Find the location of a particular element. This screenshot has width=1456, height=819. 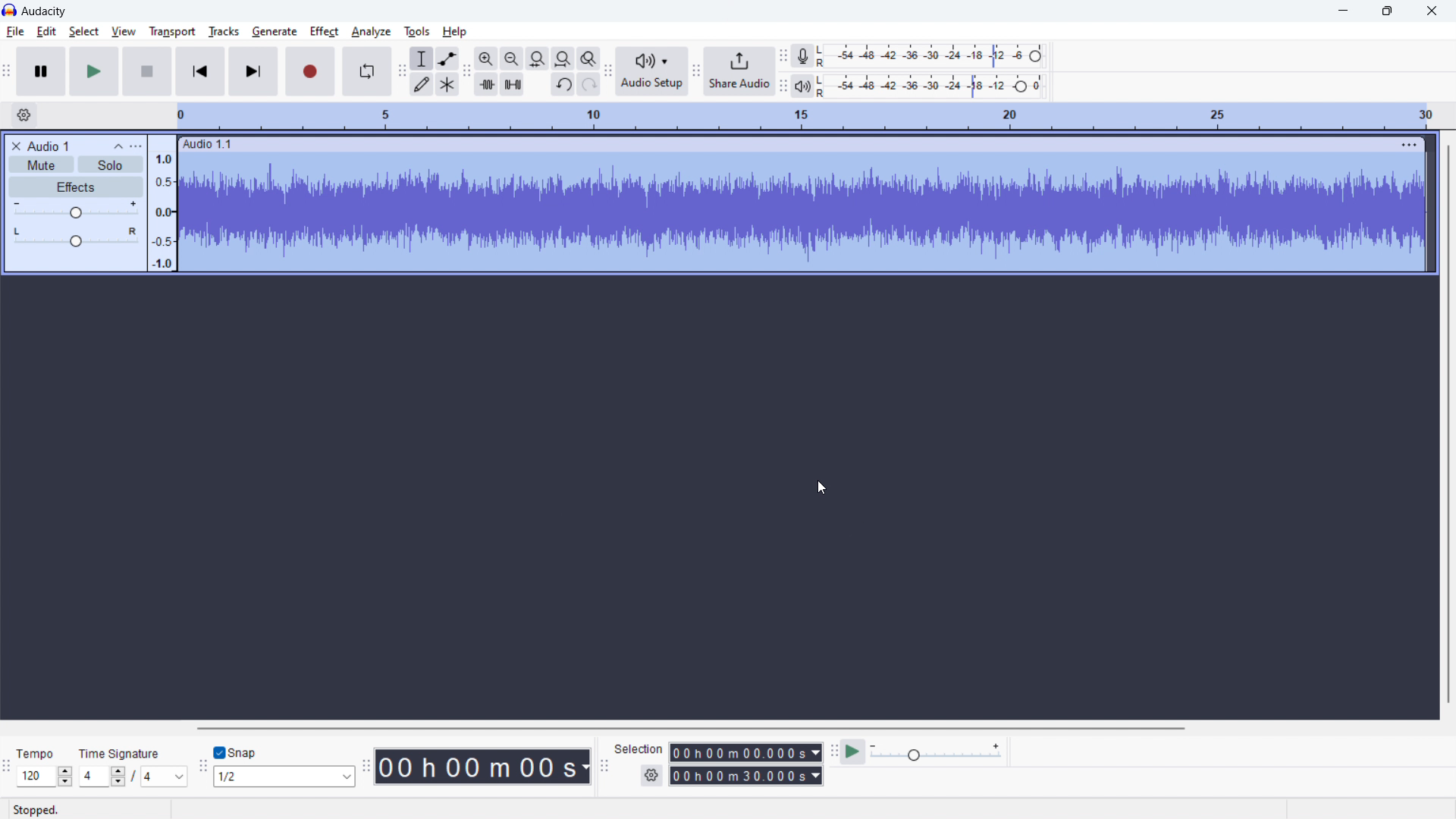

Tempo is located at coordinates (38, 753).